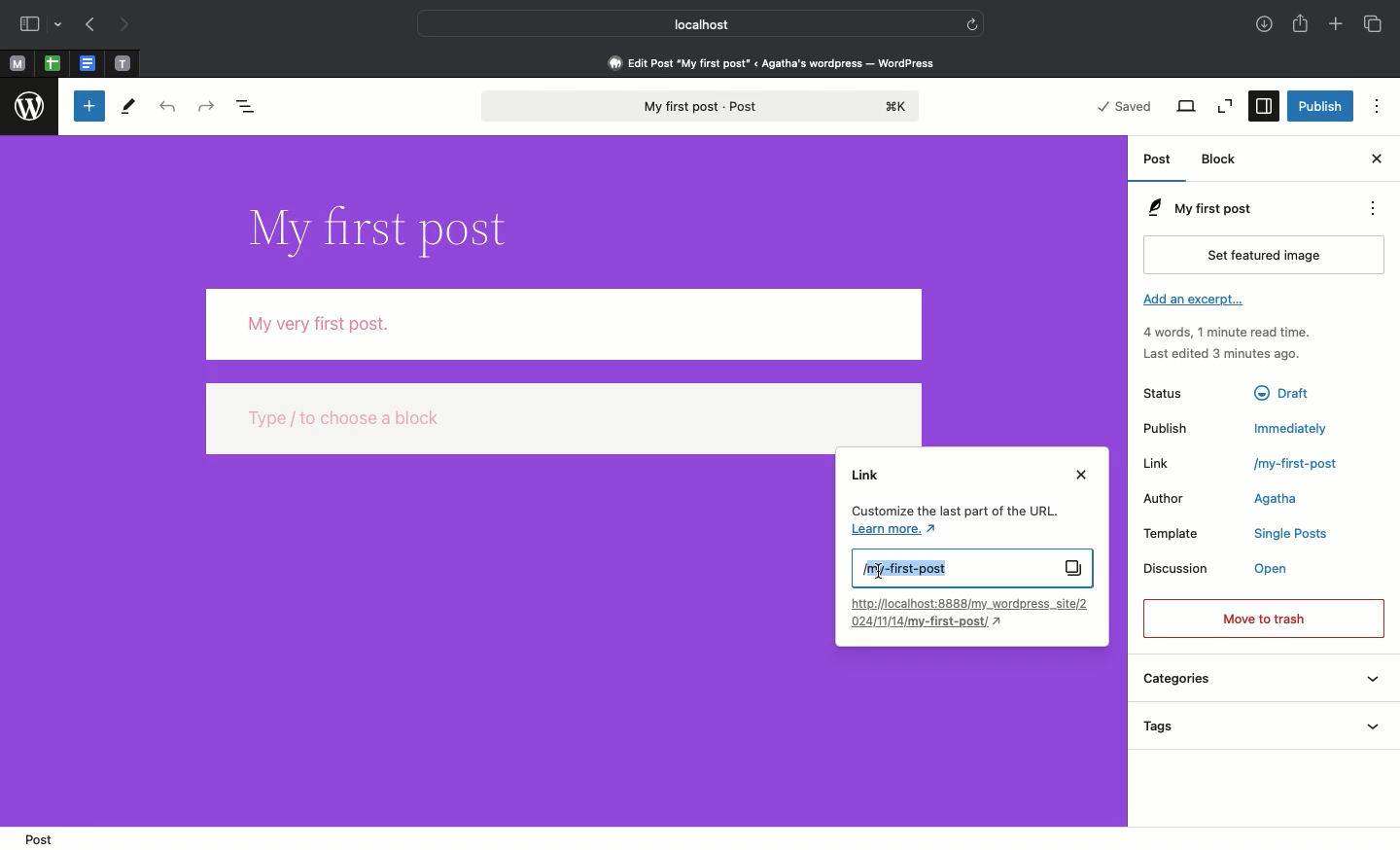 Image resolution: width=1400 pixels, height=850 pixels. Describe the element at coordinates (1376, 24) in the screenshot. I see `Tabs` at that location.